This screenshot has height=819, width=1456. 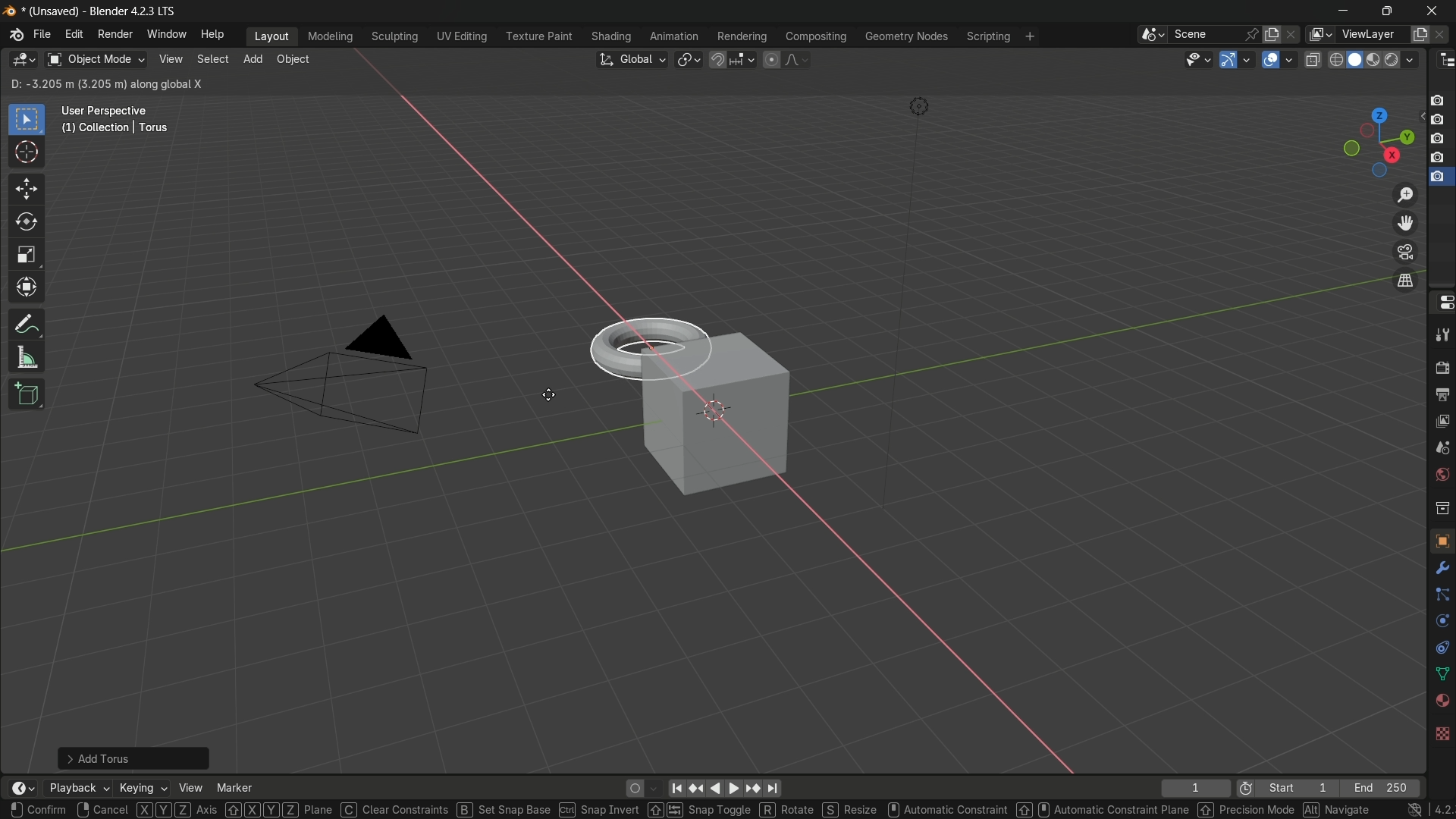 What do you see at coordinates (108, 111) in the screenshot?
I see `User Perspective` at bounding box center [108, 111].